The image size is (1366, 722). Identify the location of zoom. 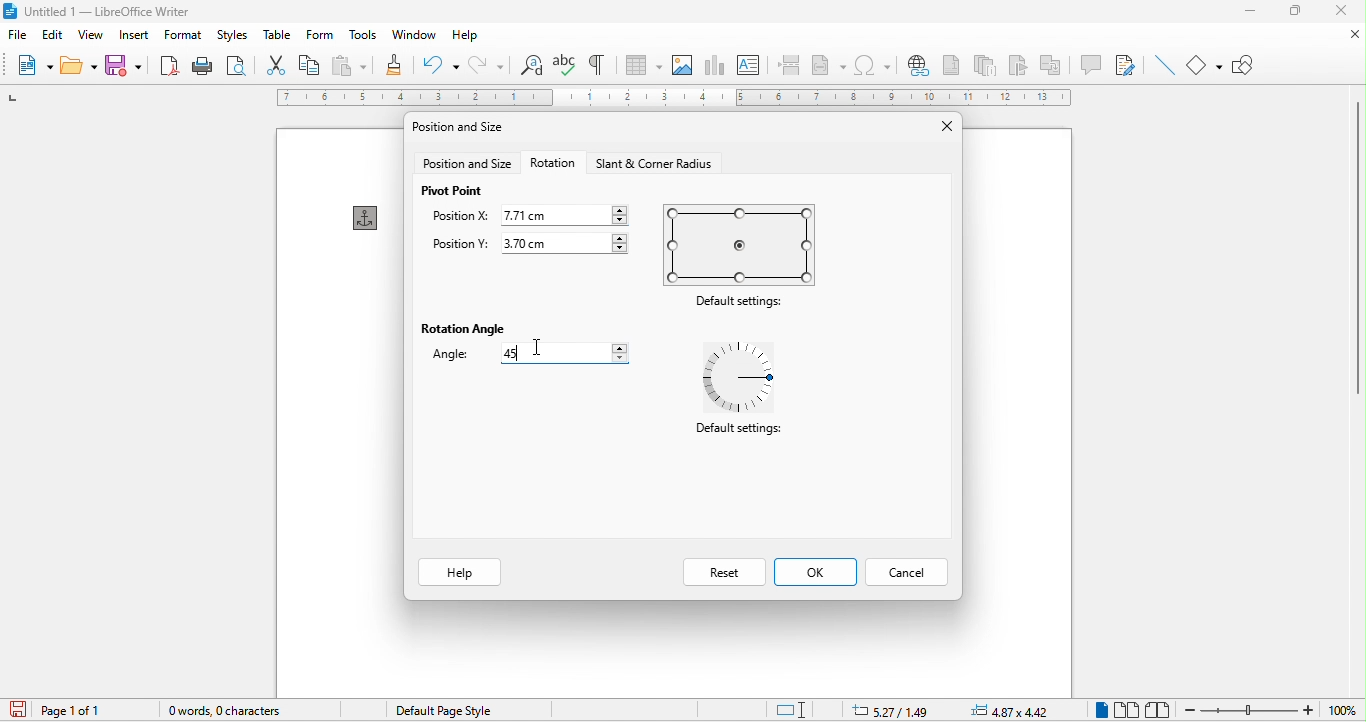
(1272, 709).